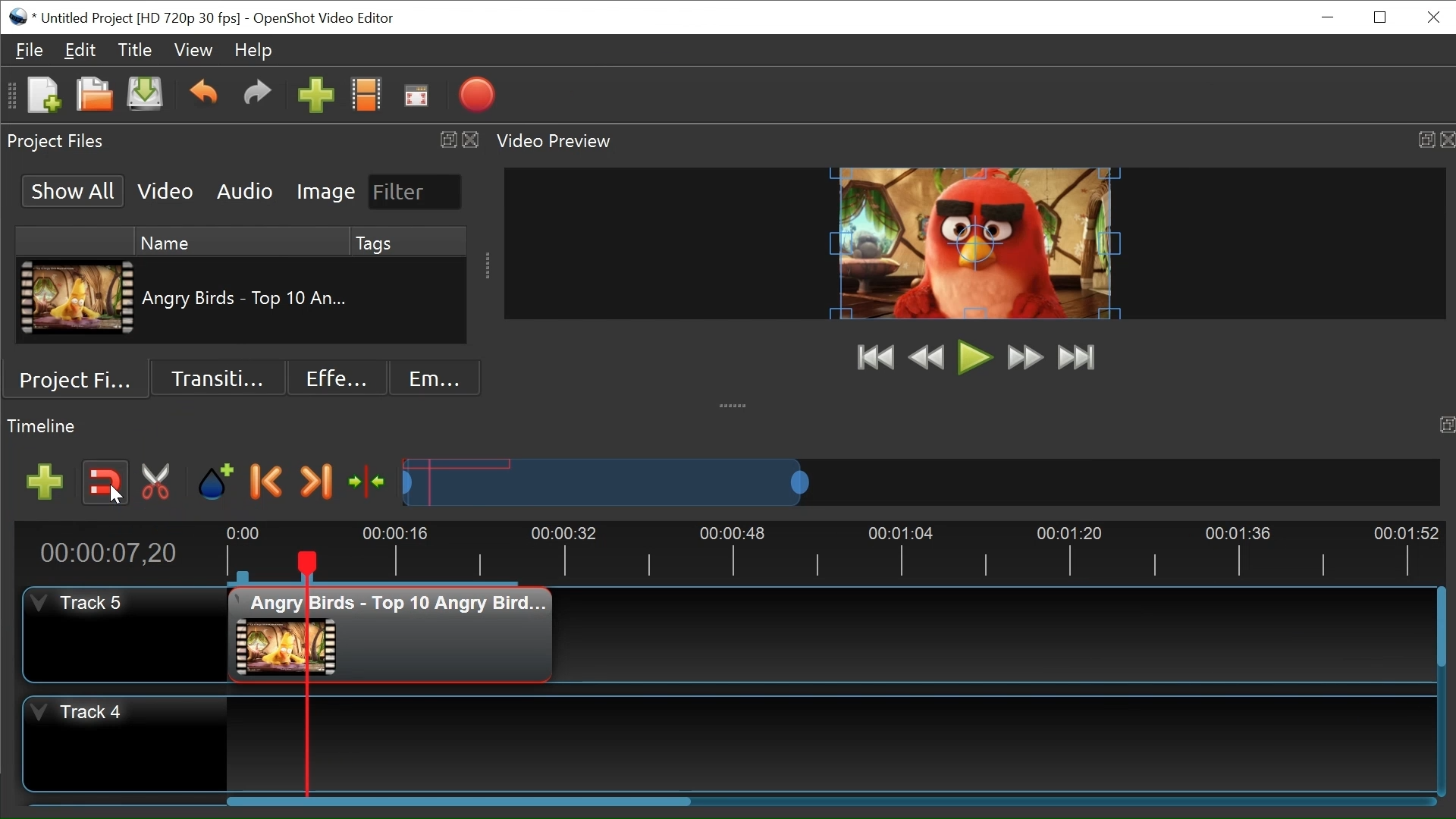  I want to click on Undo, so click(204, 95).